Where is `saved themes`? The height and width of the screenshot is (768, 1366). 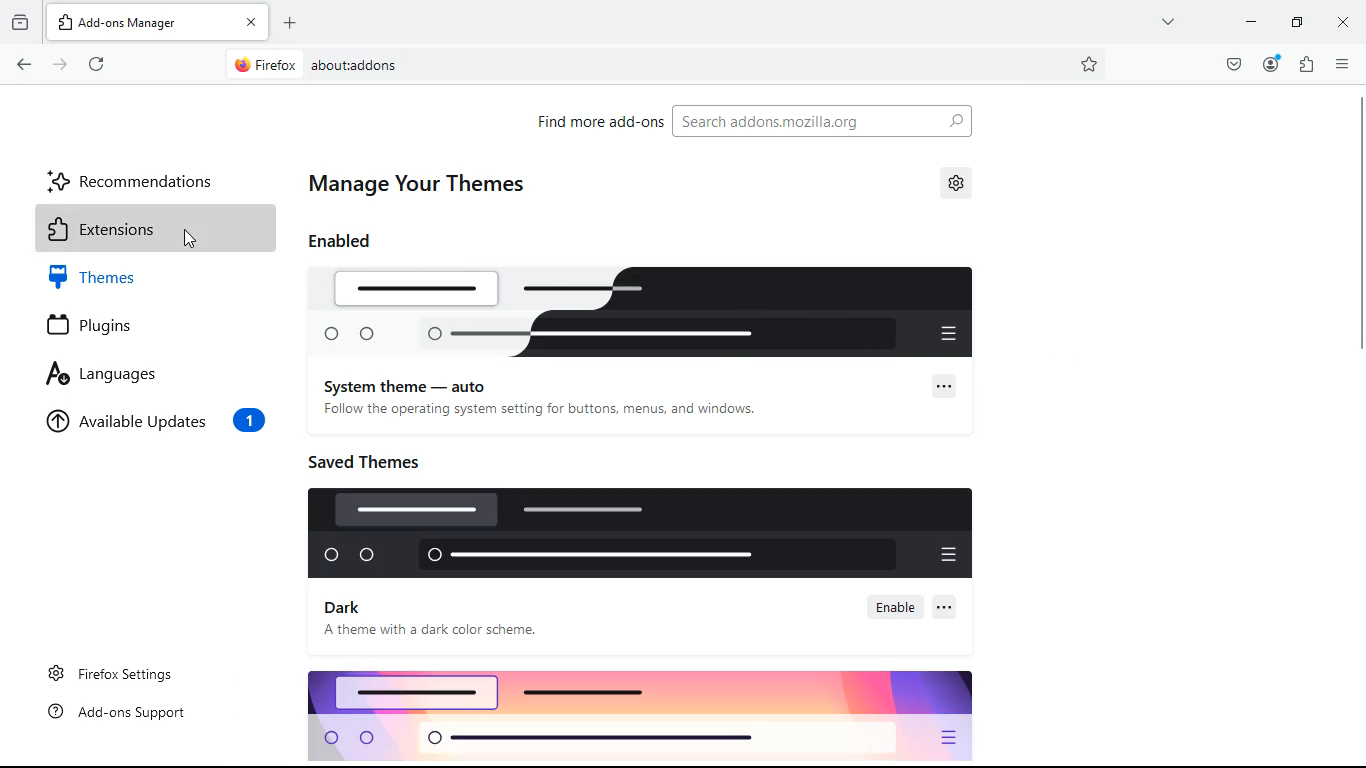 saved themes is located at coordinates (374, 462).